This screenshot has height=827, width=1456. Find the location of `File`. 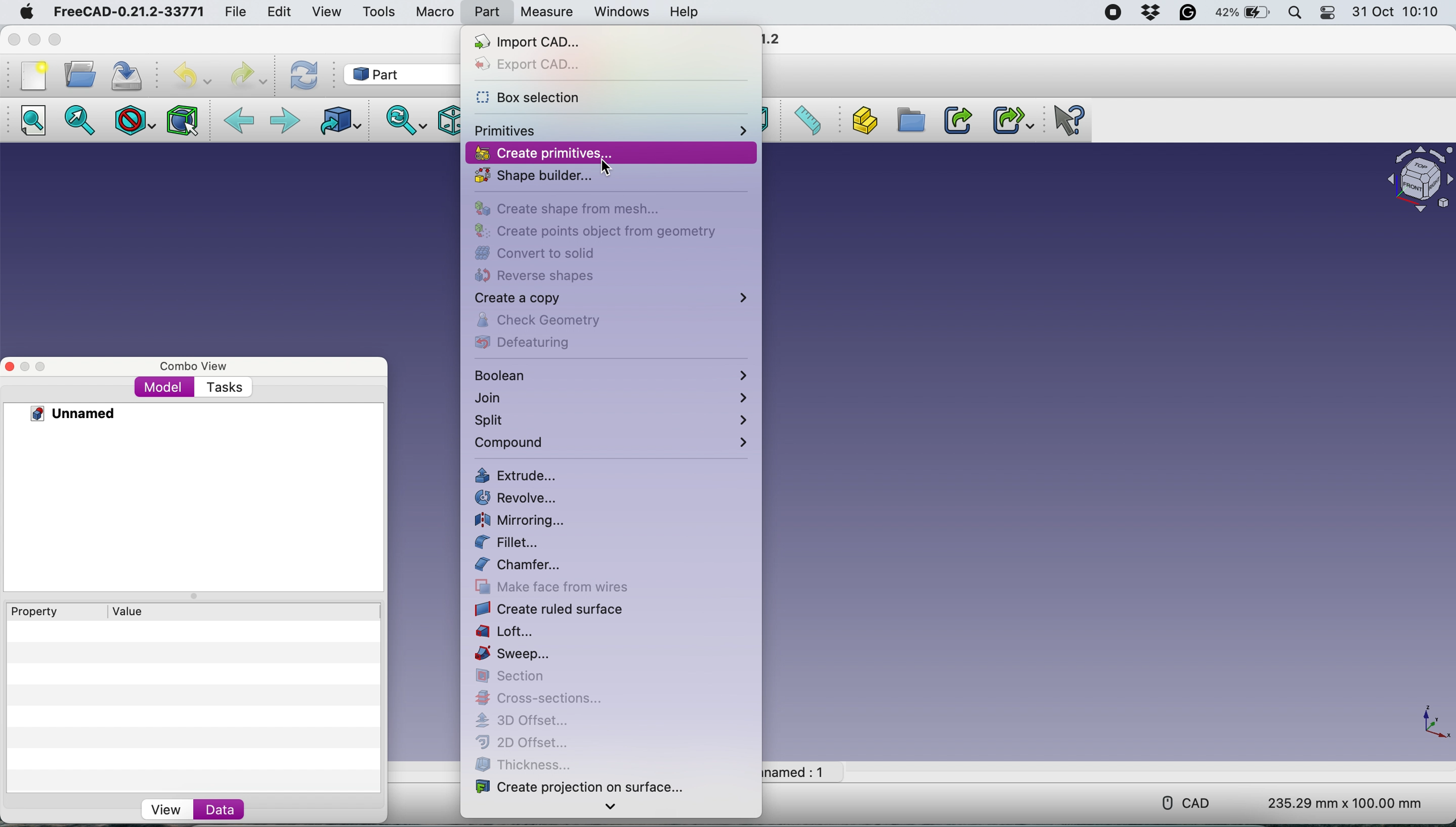

File is located at coordinates (232, 10).